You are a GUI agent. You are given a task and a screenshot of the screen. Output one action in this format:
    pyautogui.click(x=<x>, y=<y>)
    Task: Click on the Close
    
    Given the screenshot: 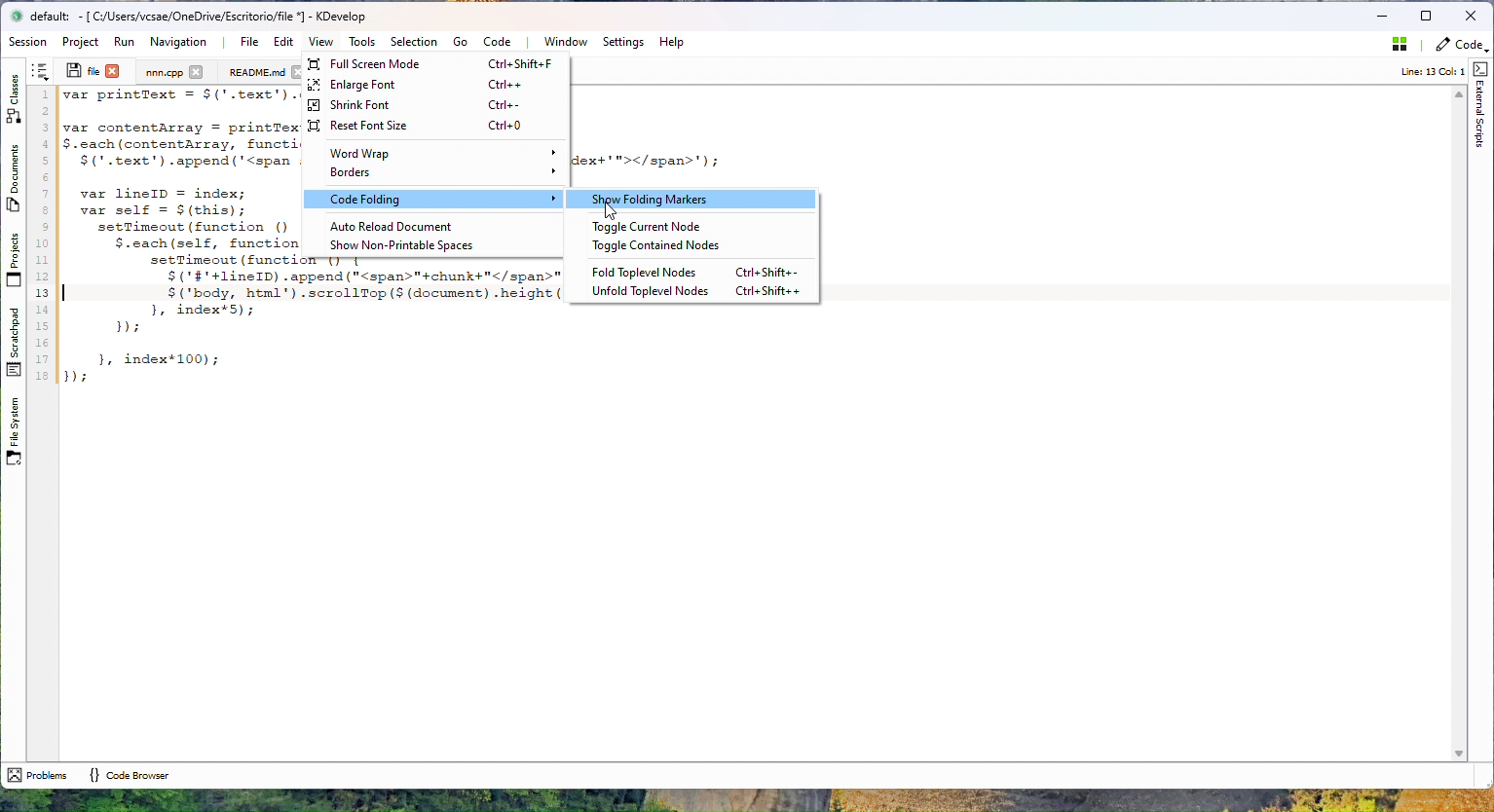 What is the action you would take?
    pyautogui.click(x=1471, y=17)
    